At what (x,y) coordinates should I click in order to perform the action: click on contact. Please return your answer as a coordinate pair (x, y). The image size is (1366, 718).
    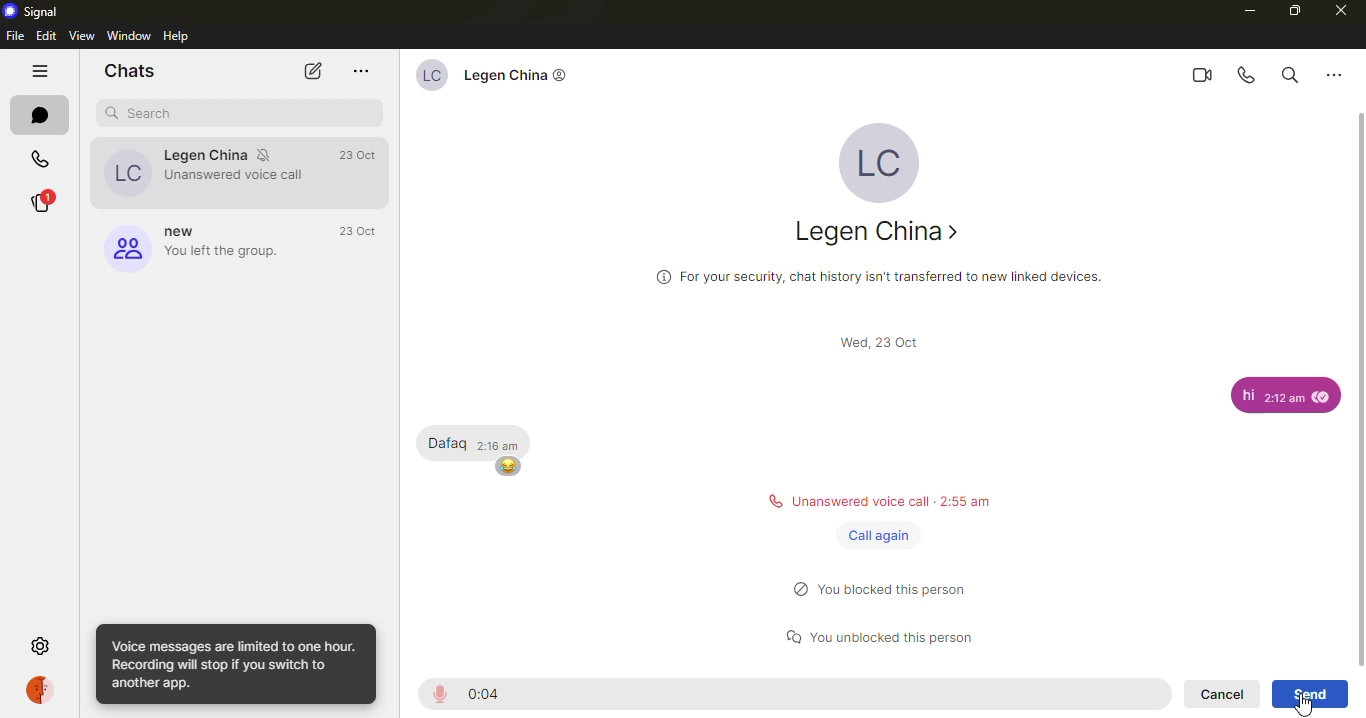
    Looking at the image, I should click on (519, 73).